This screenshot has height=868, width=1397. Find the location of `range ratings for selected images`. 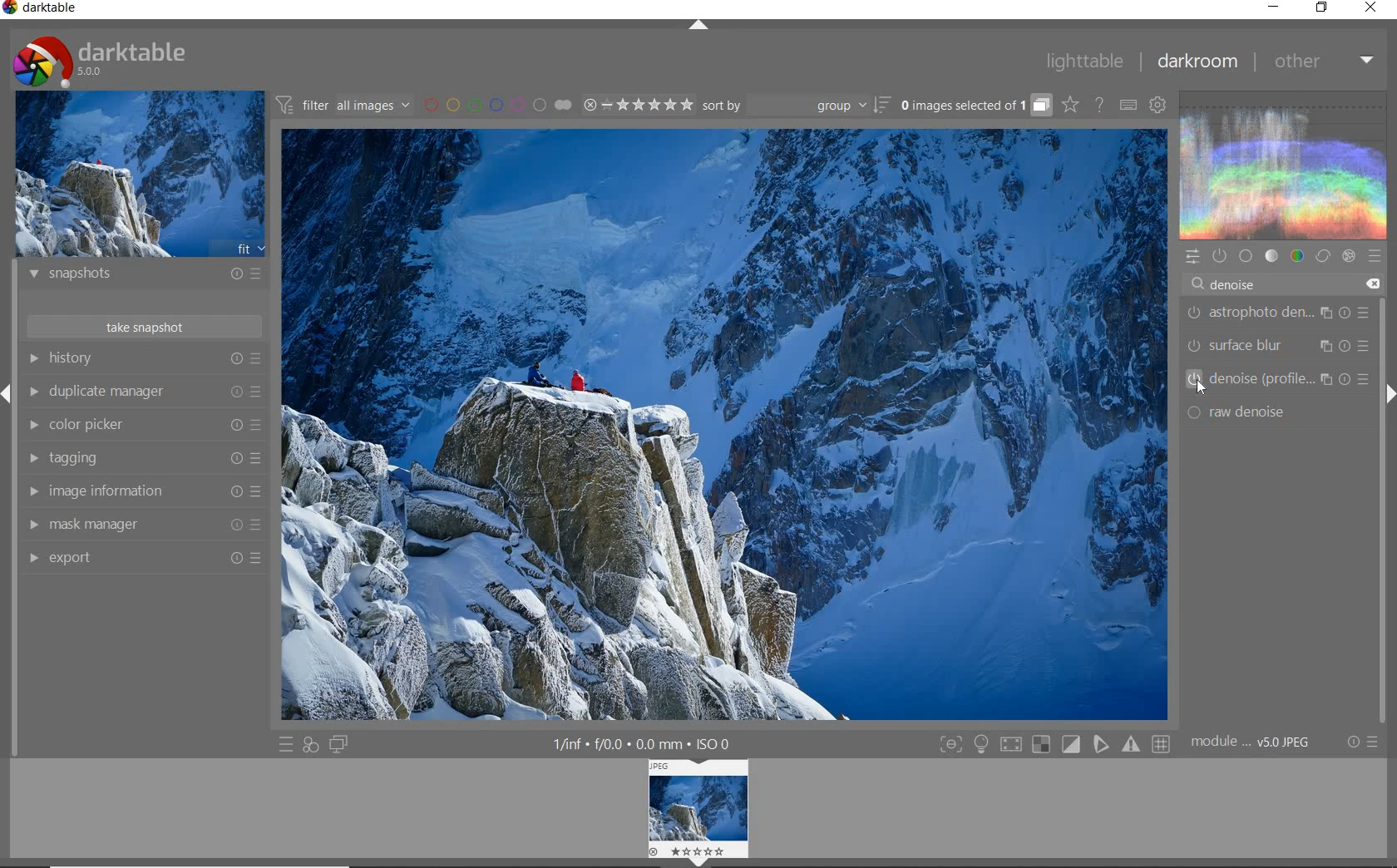

range ratings for selected images is located at coordinates (639, 105).